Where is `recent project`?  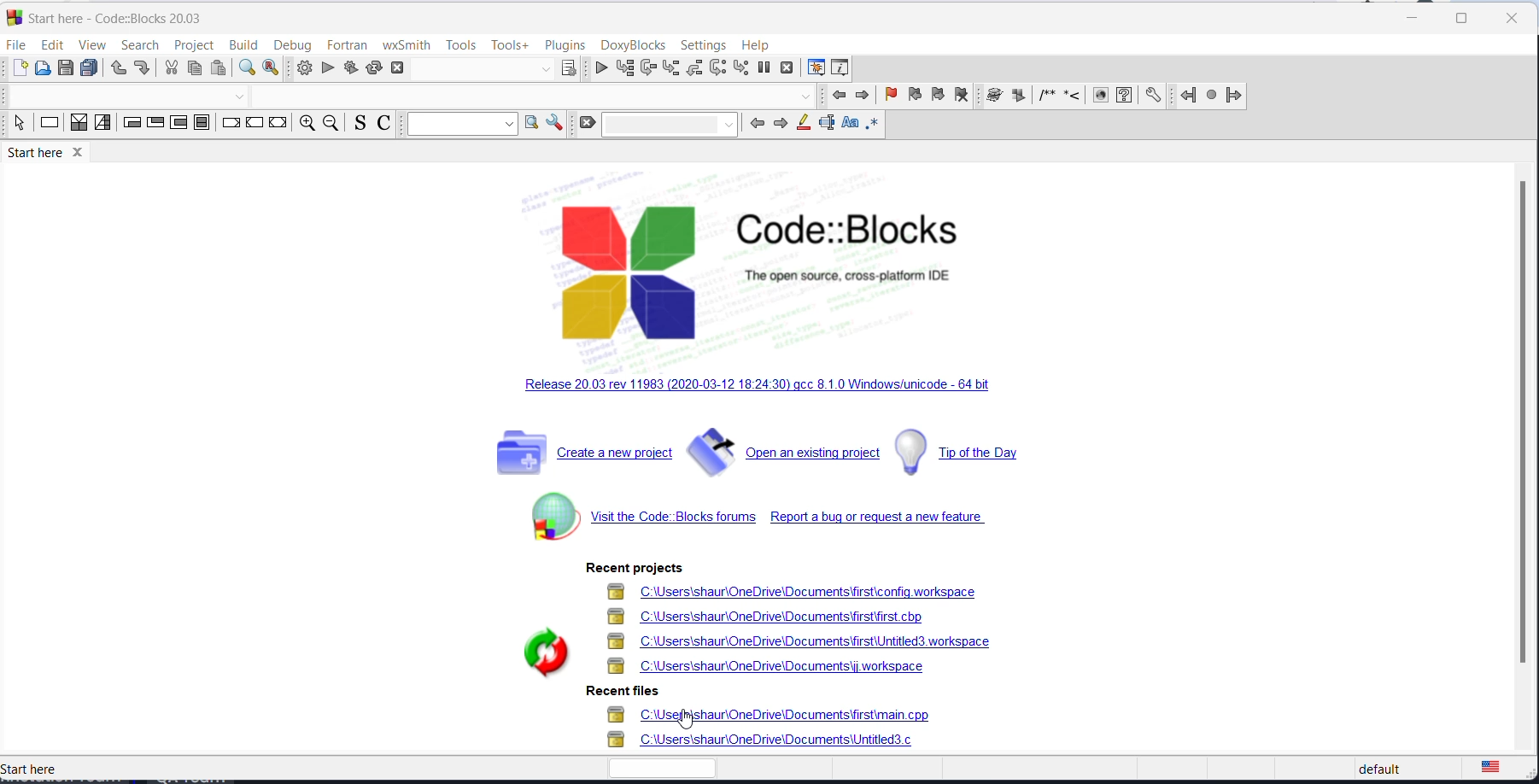 recent project is located at coordinates (630, 569).